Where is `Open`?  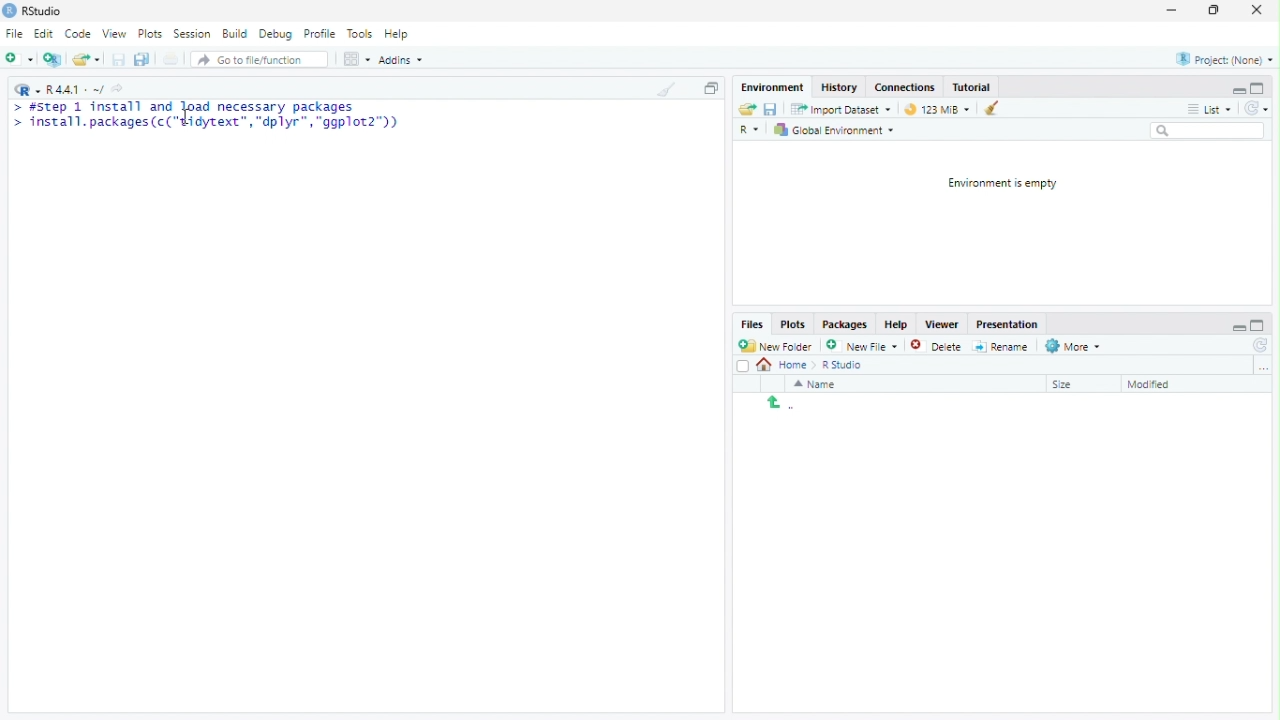 Open is located at coordinates (748, 109).